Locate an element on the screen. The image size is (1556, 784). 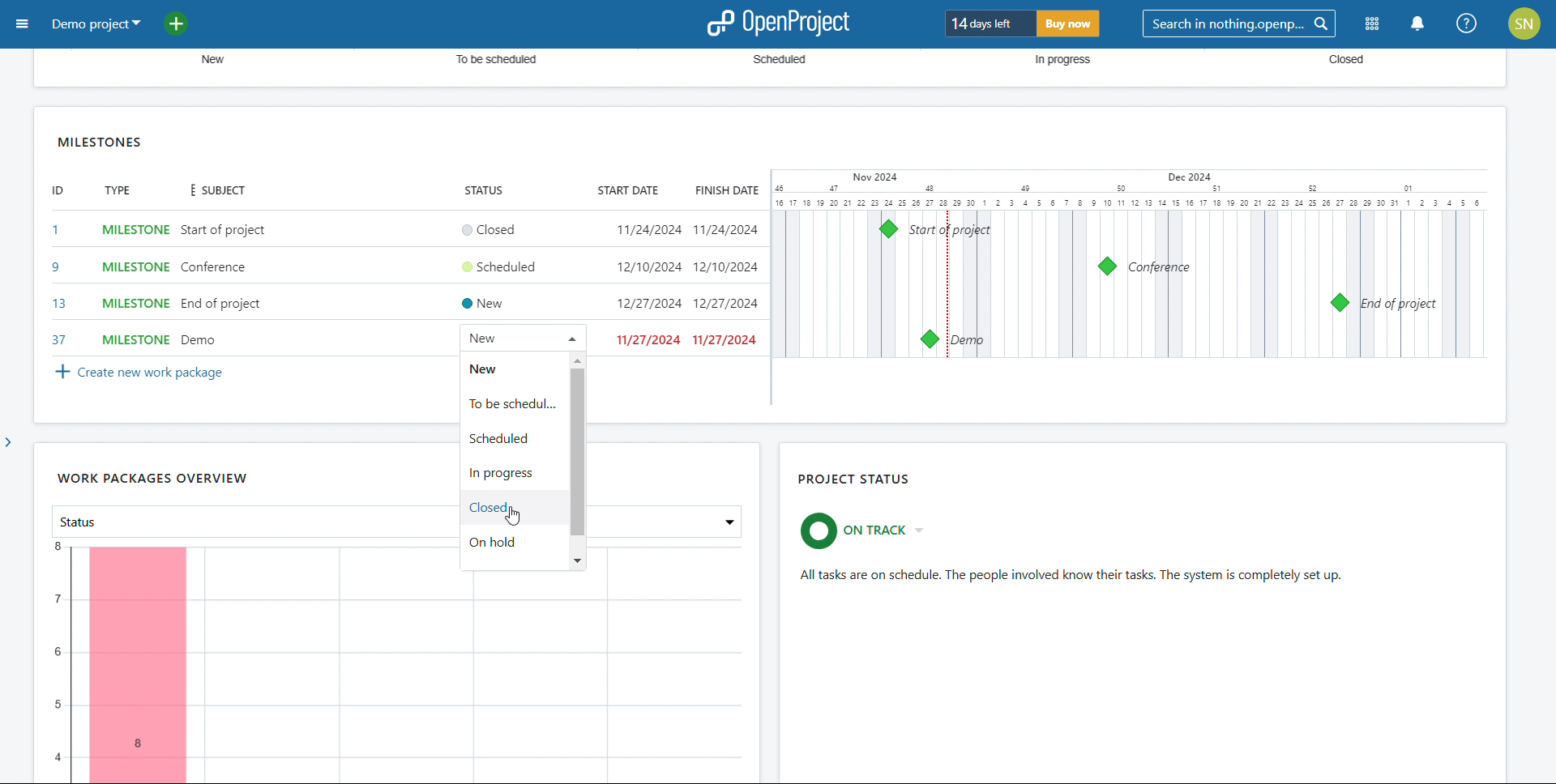
status is located at coordinates (481, 191).